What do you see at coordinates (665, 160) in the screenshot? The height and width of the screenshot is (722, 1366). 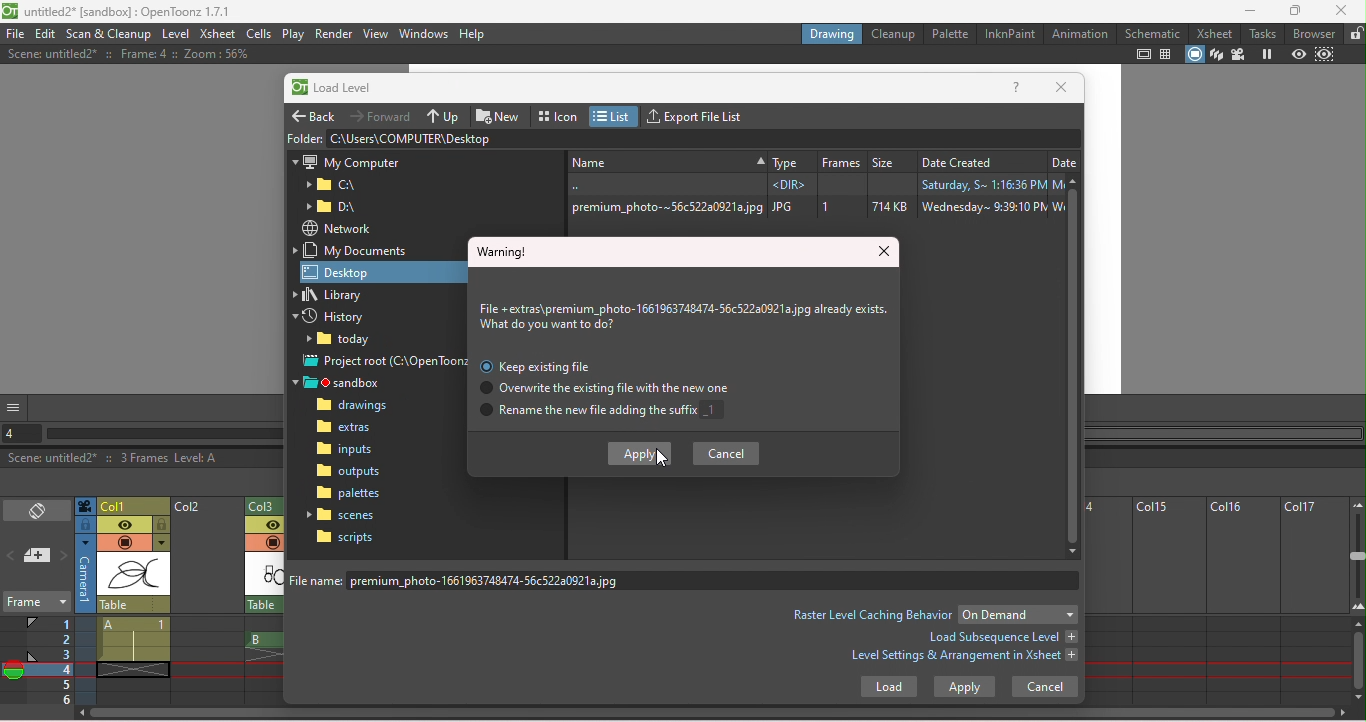 I see `New` at bounding box center [665, 160].